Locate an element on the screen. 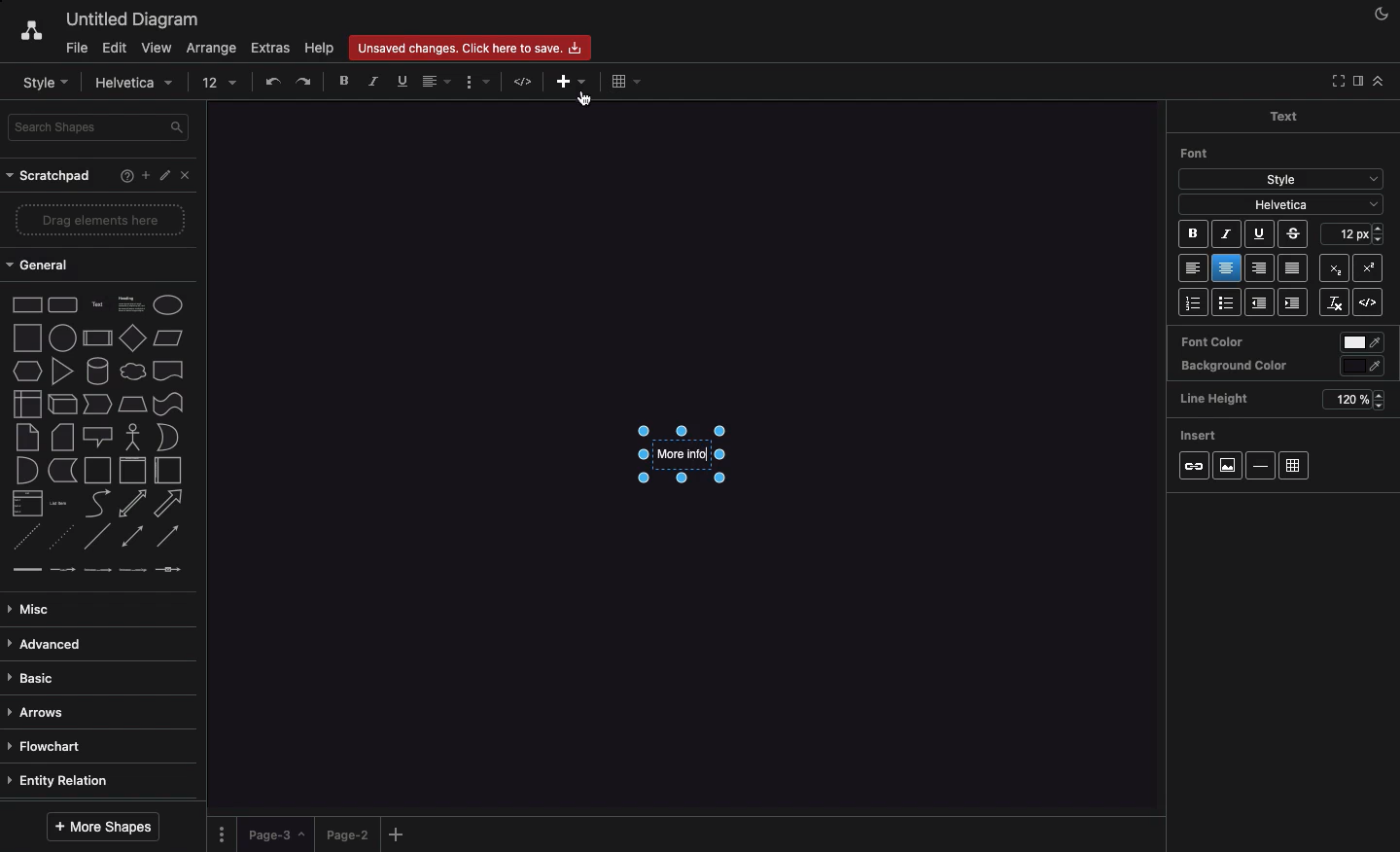 This screenshot has height=852, width=1400. Italics is located at coordinates (374, 81).